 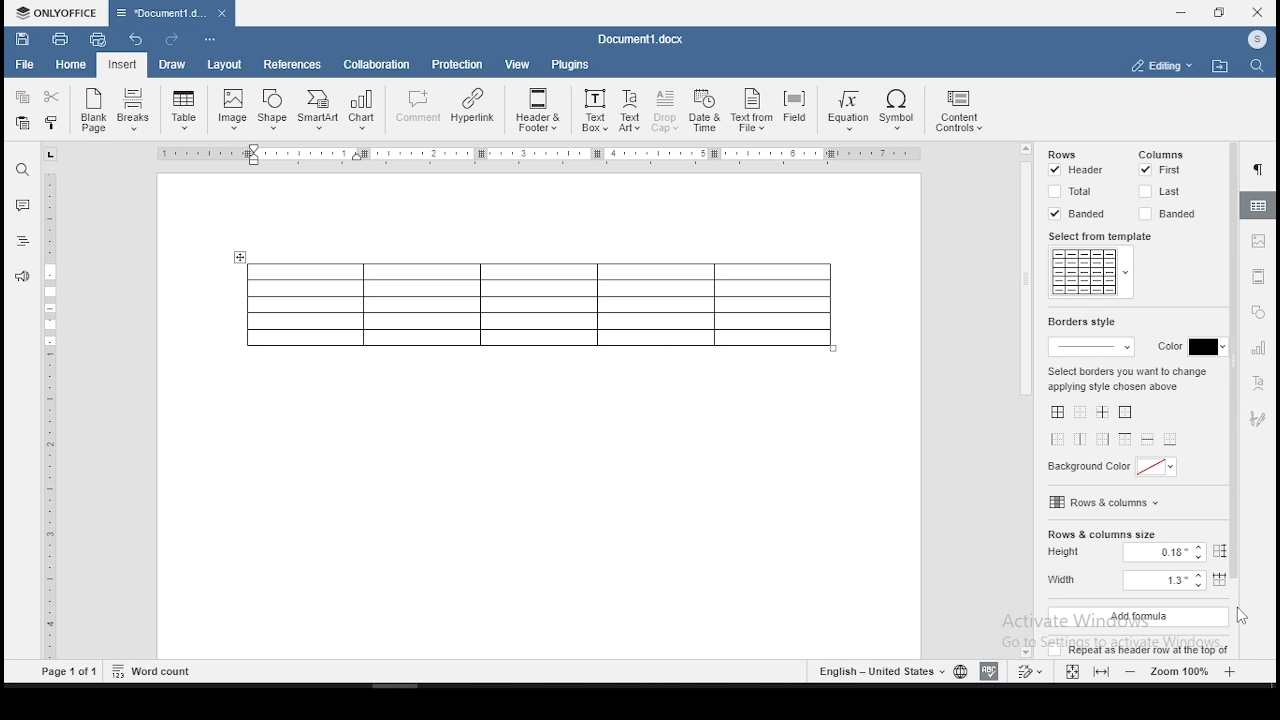 I want to click on collaboration, so click(x=379, y=67).